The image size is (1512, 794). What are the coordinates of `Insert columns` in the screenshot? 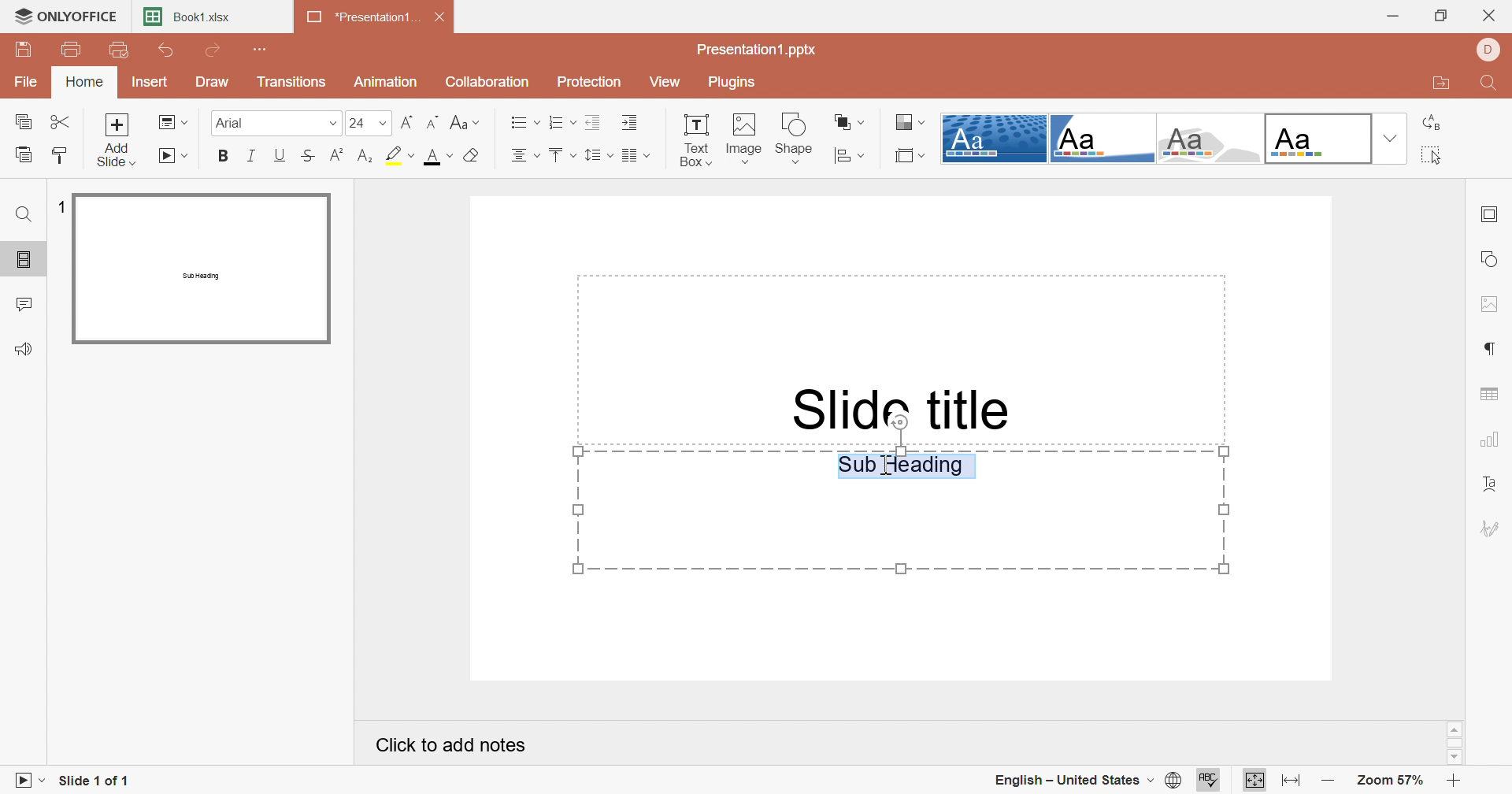 It's located at (638, 155).